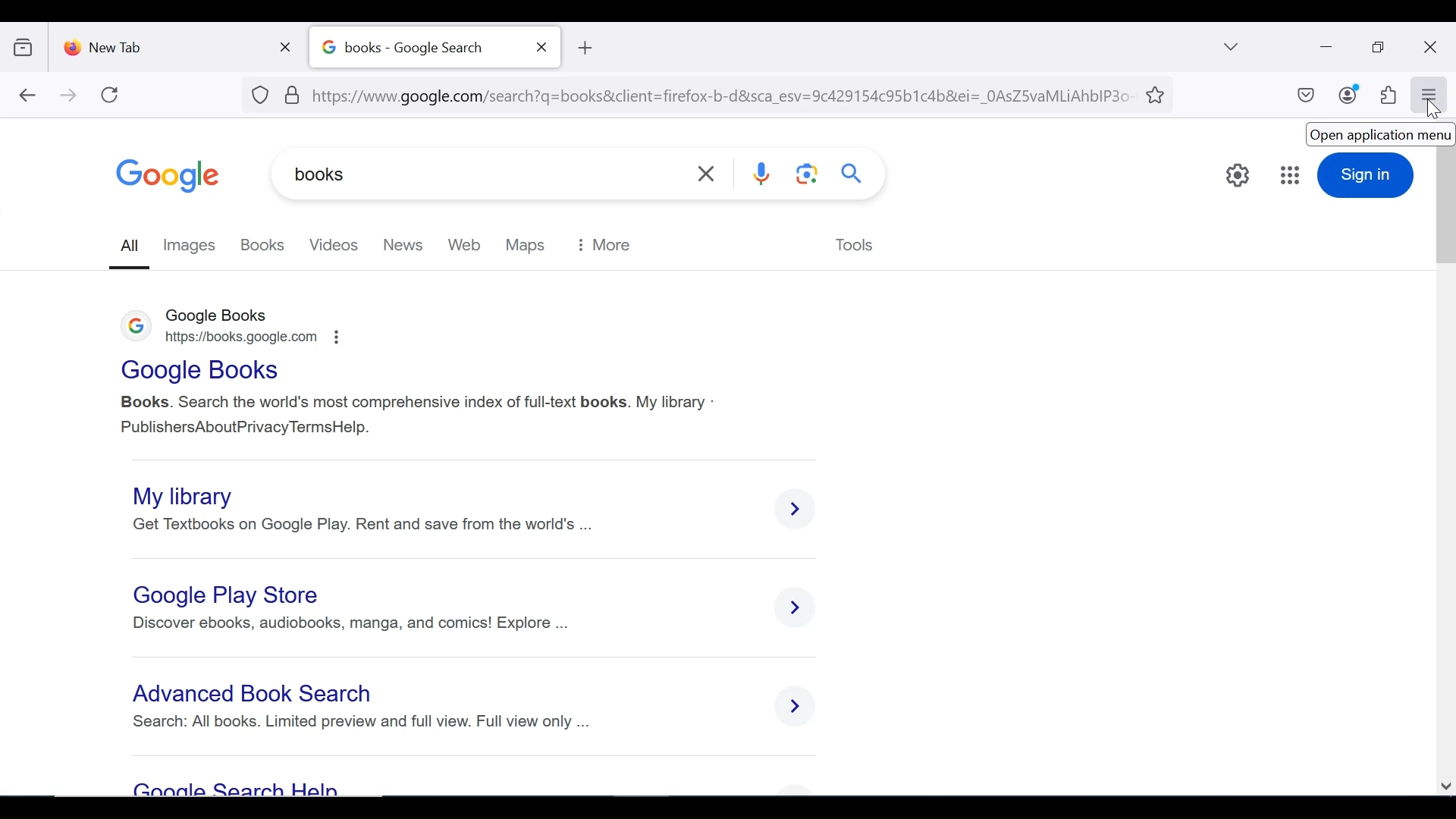 This screenshot has width=1456, height=819. What do you see at coordinates (332, 244) in the screenshot?
I see `videos` at bounding box center [332, 244].